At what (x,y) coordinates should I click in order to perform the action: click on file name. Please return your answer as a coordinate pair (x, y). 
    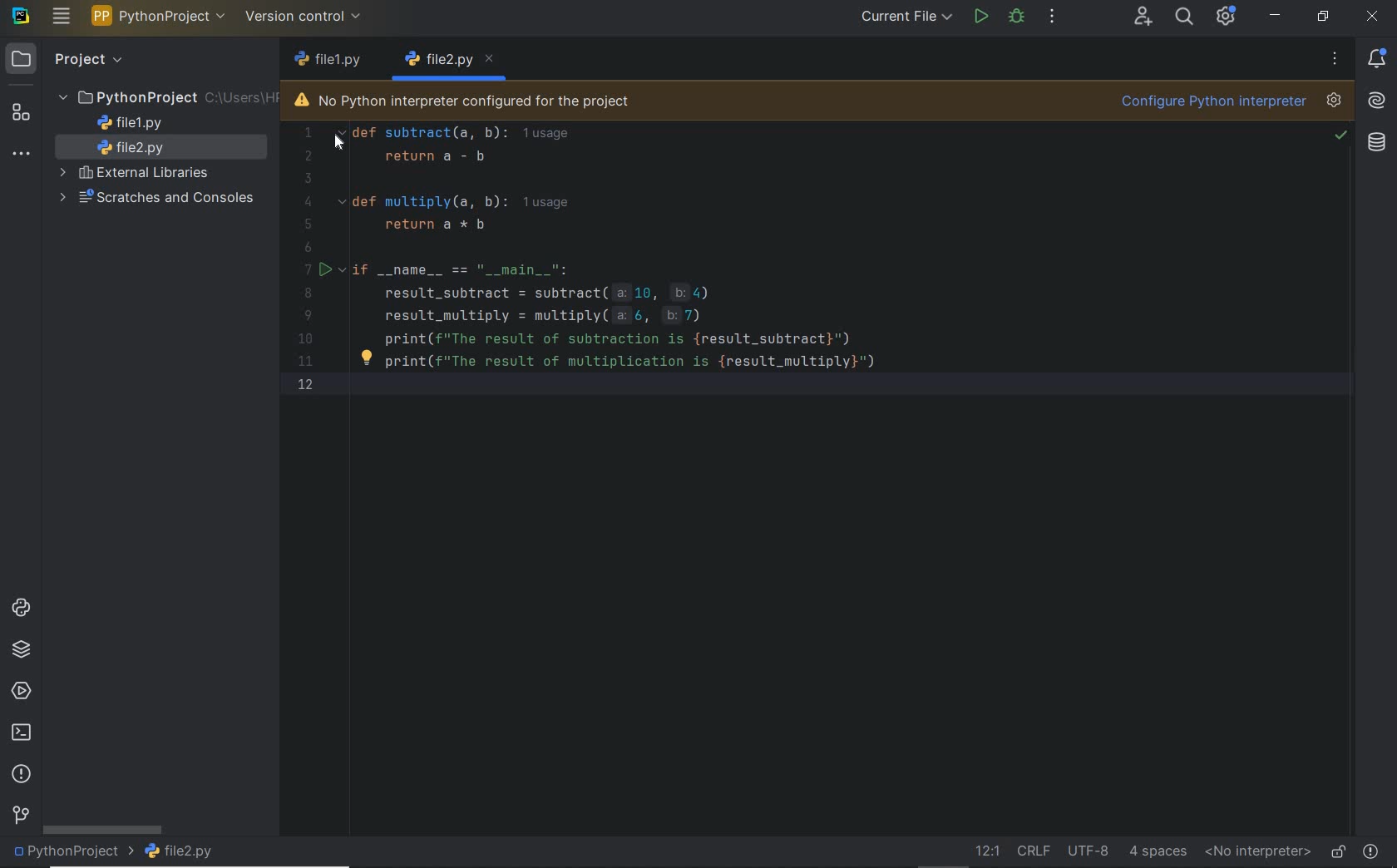
    Looking at the image, I should click on (338, 62).